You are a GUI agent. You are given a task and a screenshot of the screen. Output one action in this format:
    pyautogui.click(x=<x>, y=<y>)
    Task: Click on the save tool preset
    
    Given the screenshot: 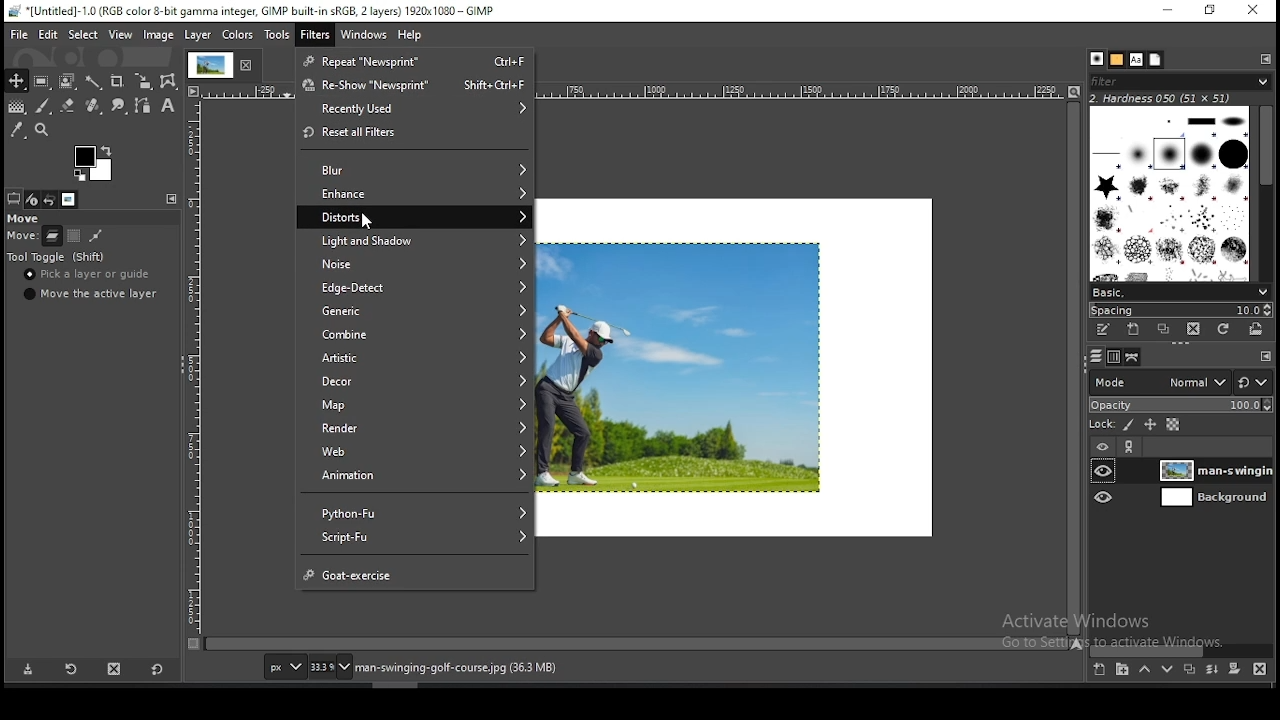 What is the action you would take?
    pyautogui.click(x=29, y=670)
    